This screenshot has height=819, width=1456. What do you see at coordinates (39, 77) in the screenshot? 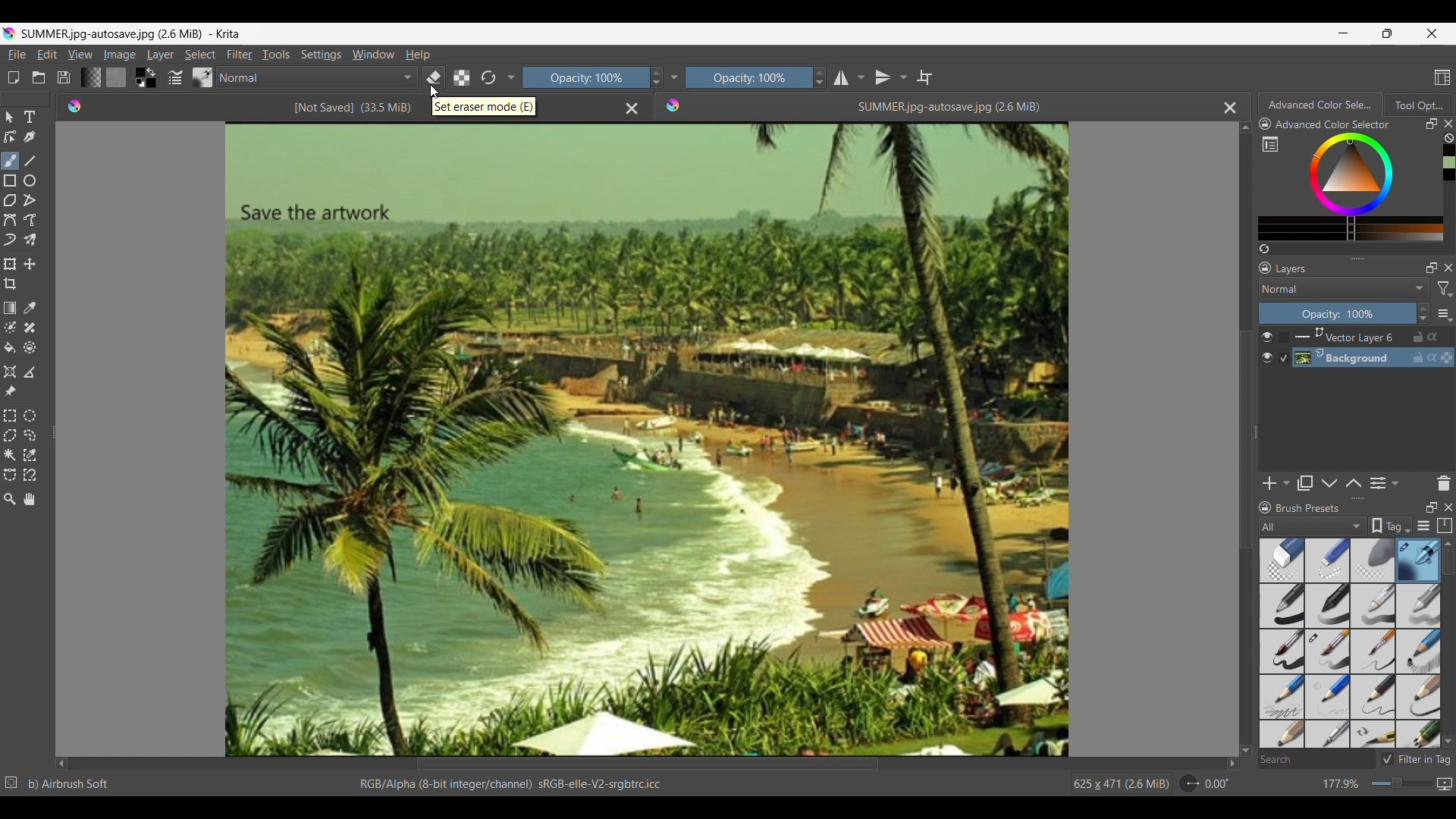
I see `Open an existing document` at bounding box center [39, 77].